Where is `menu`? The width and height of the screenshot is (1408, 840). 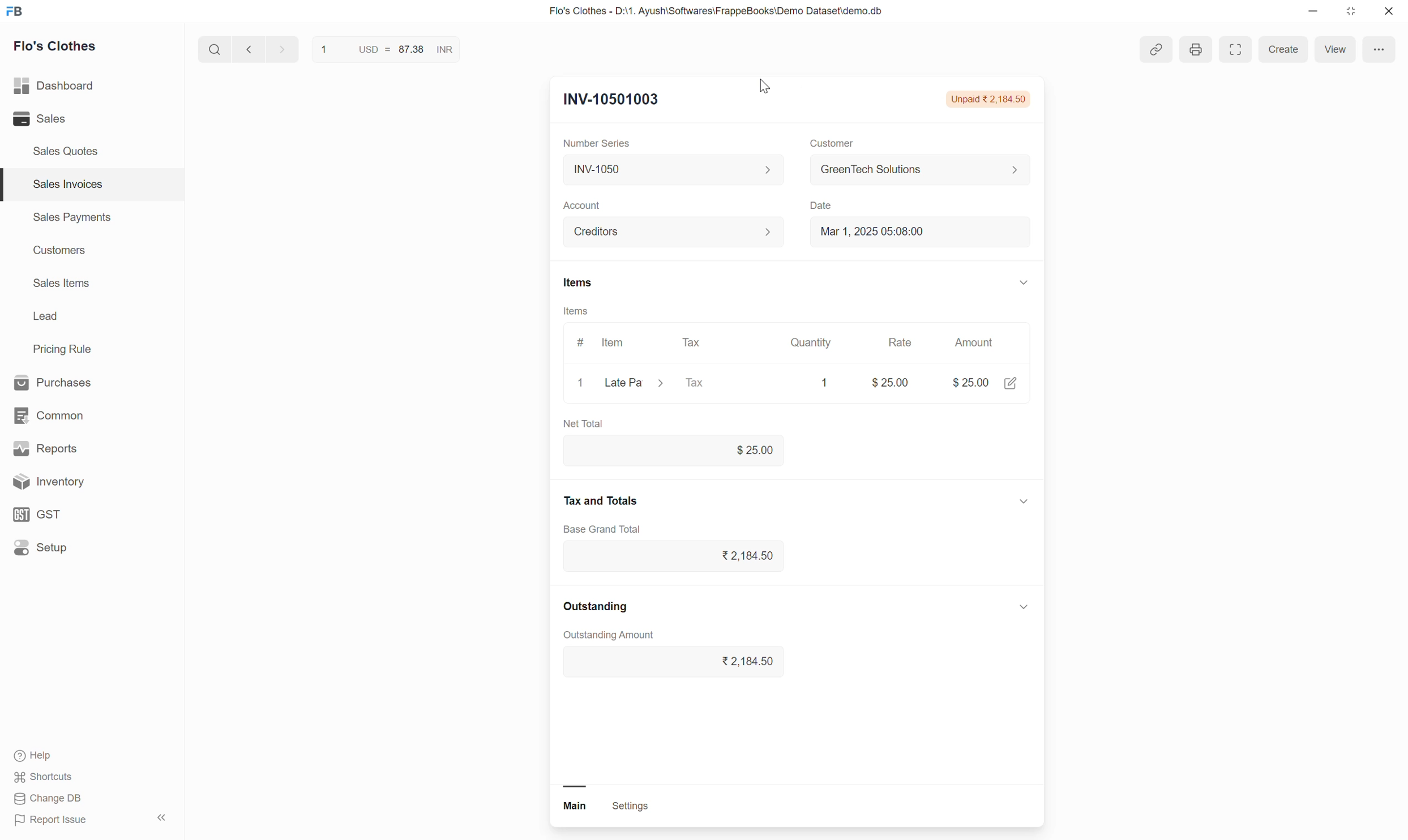 menu is located at coordinates (1381, 50).